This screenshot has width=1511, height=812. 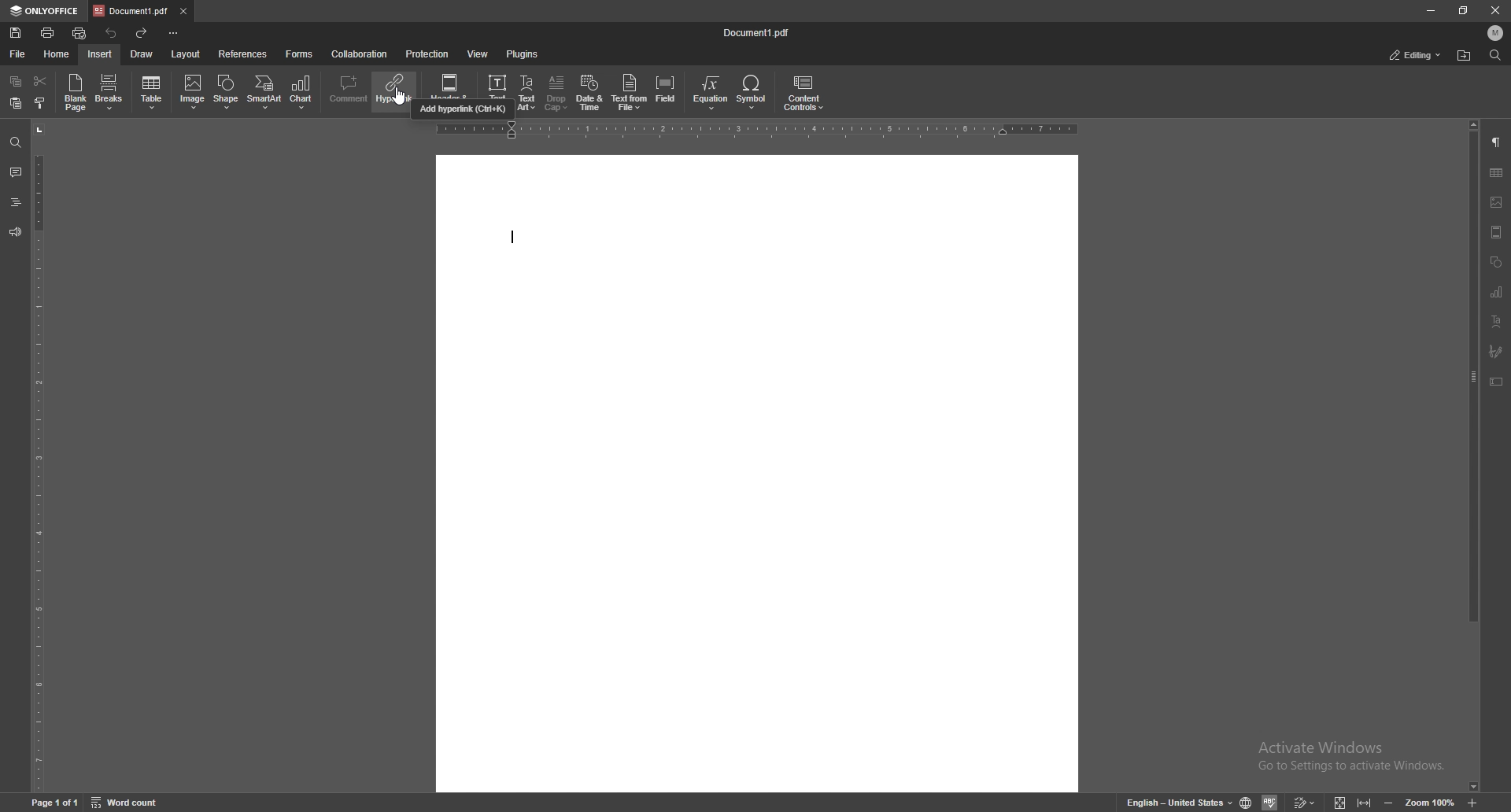 I want to click on table, so click(x=153, y=92).